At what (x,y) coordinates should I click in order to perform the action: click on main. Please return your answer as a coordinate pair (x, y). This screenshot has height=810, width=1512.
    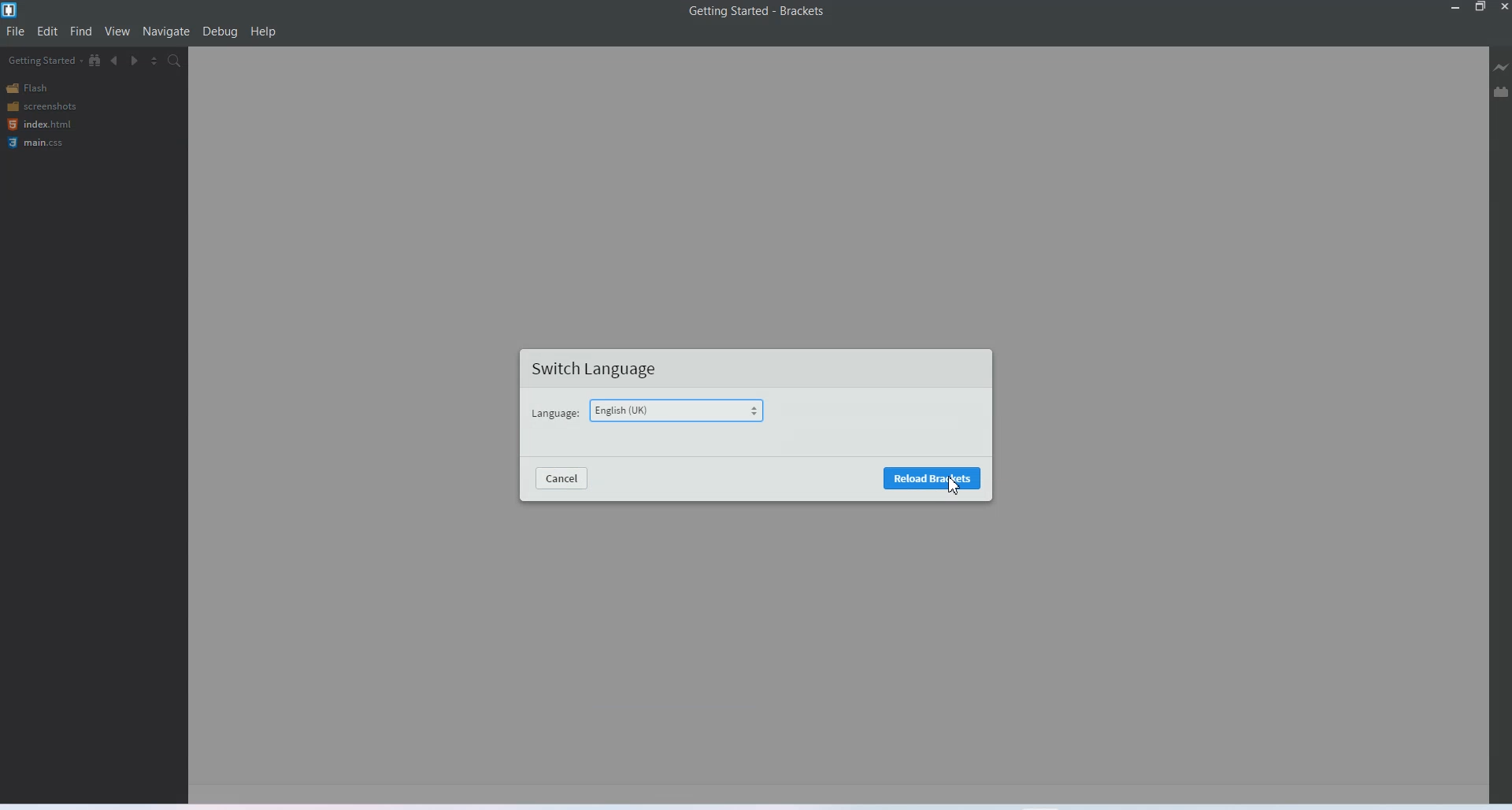
    Looking at the image, I should click on (39, 143).